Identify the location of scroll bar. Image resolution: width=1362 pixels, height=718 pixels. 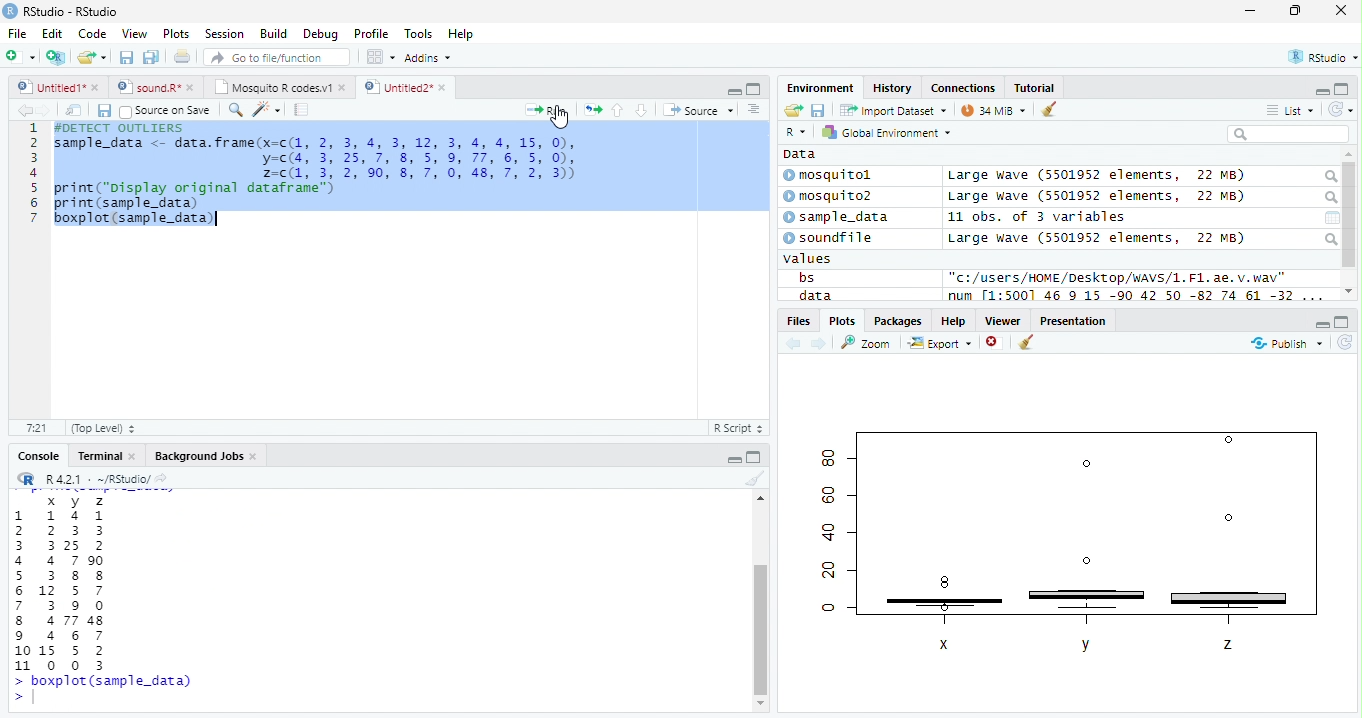
(761, 630).